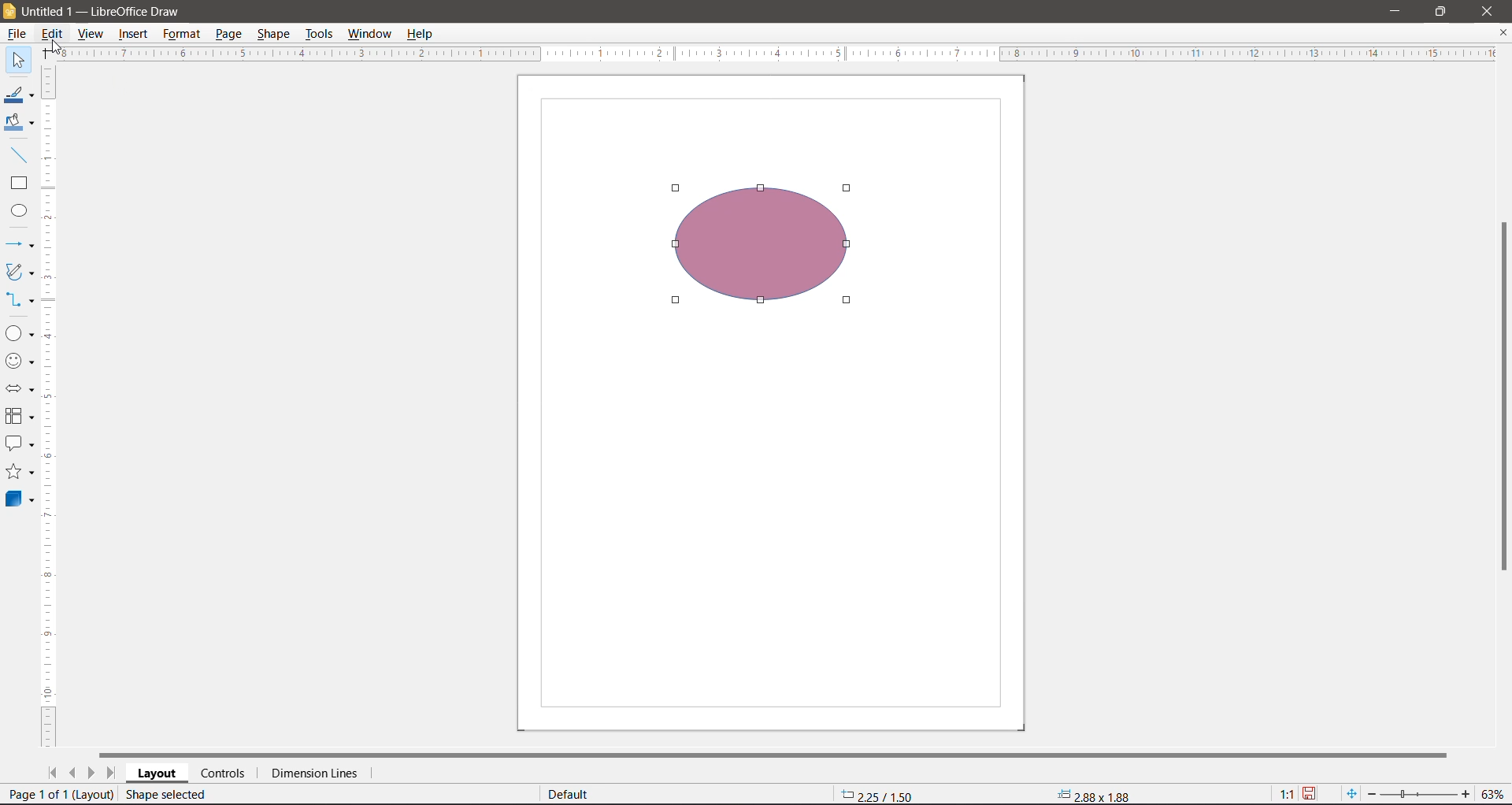 Image resolution: width=1512 pixels, height=805 pixels. Describe the element at coordinates (20, 299) in the screenshot. I see `Connectors` at that location.